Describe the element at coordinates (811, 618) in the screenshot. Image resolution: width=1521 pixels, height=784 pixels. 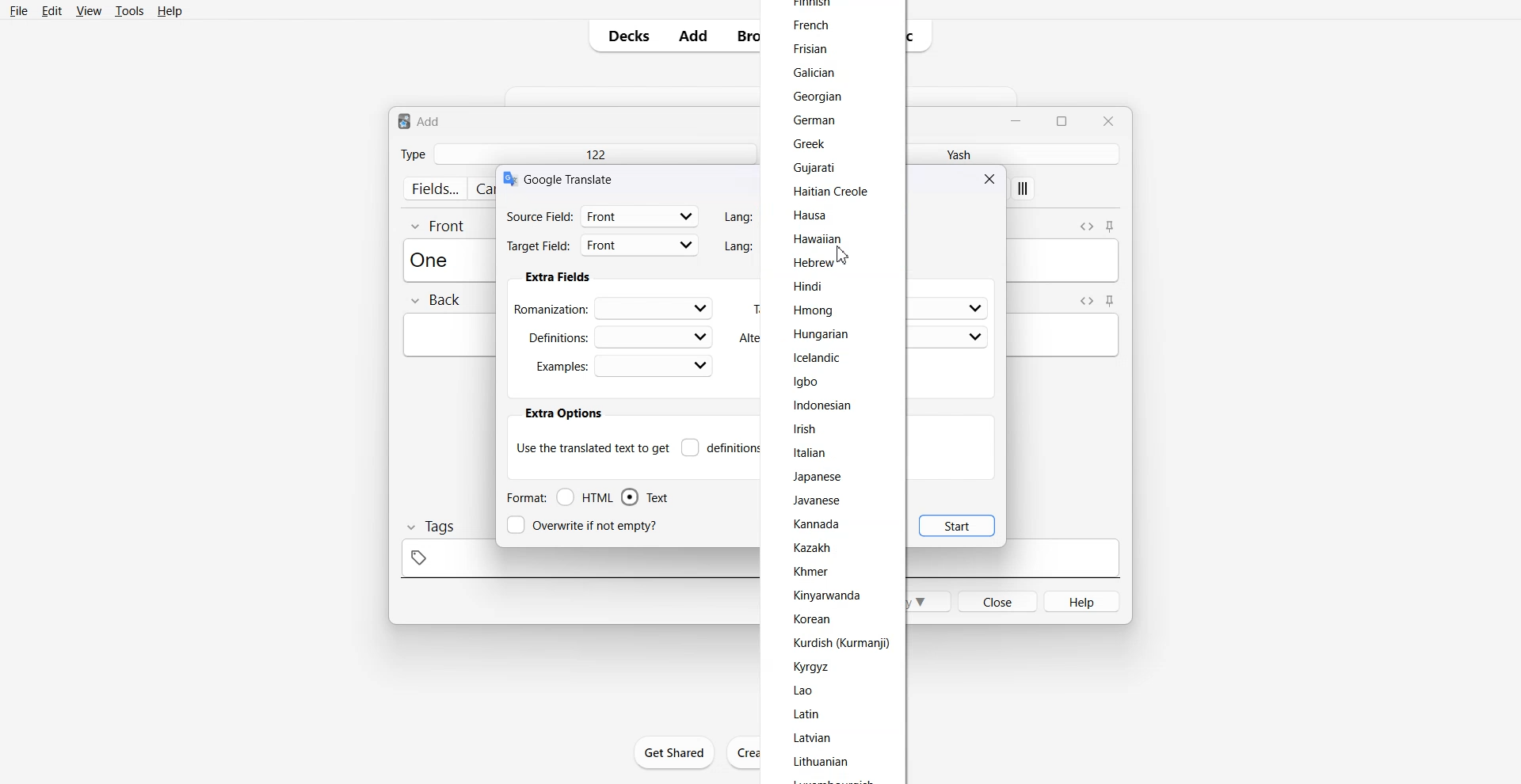
I see `Korean` at that location.